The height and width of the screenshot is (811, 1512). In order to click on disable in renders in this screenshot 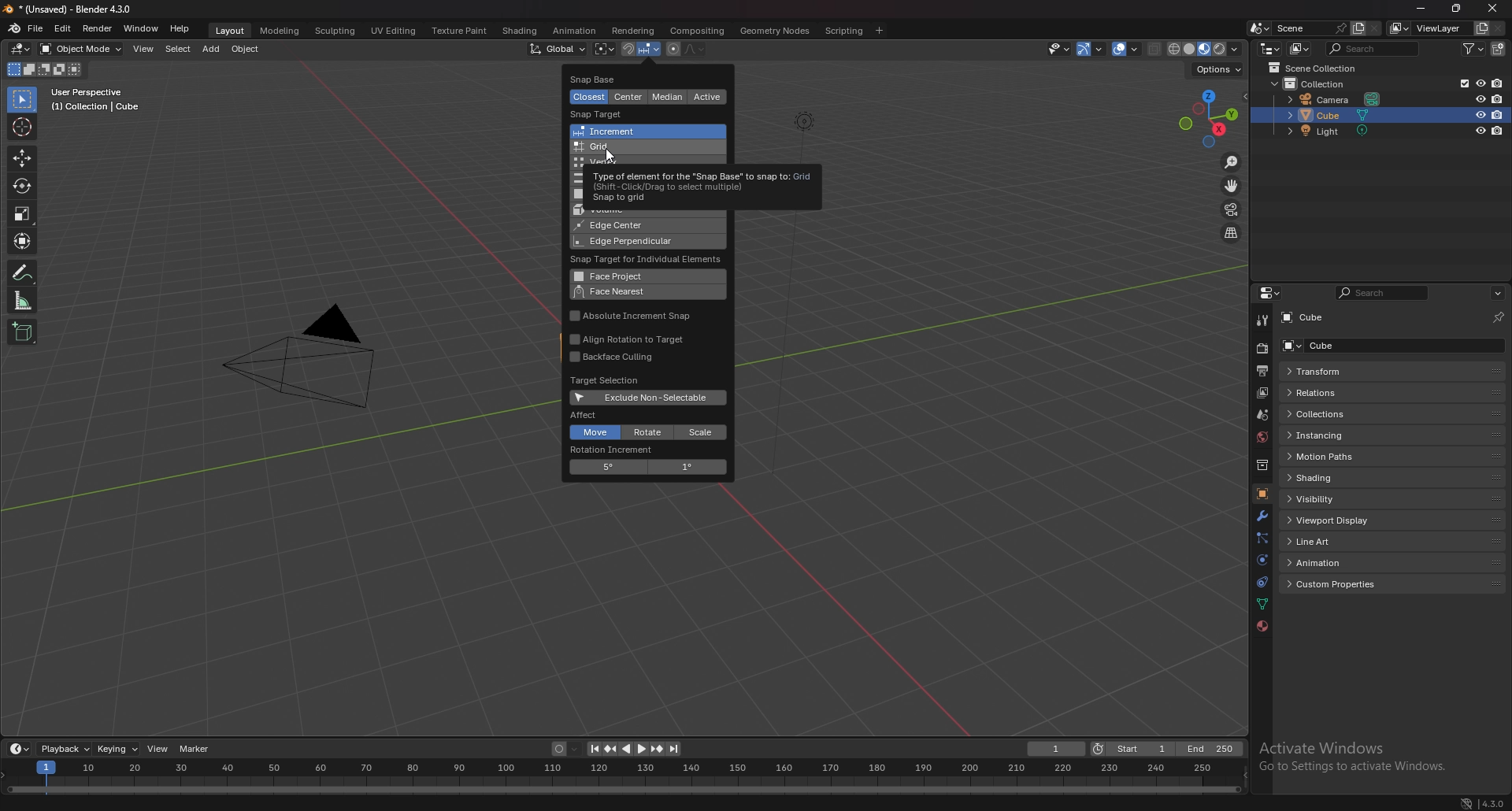, I will do `click(1498, 98)`.